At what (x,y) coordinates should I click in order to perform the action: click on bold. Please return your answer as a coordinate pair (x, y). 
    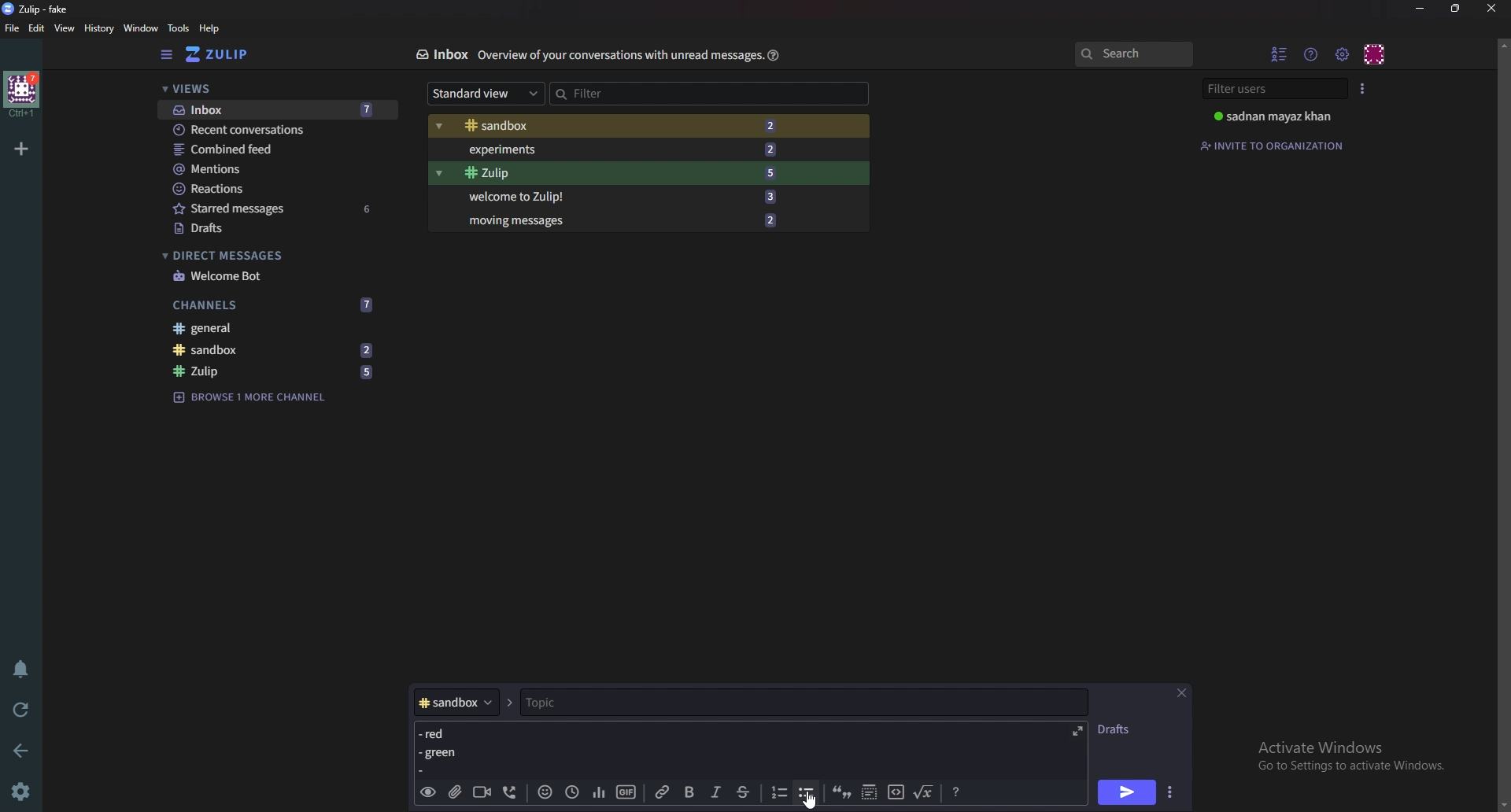
    Looking at the image, I should click on (692, 793).